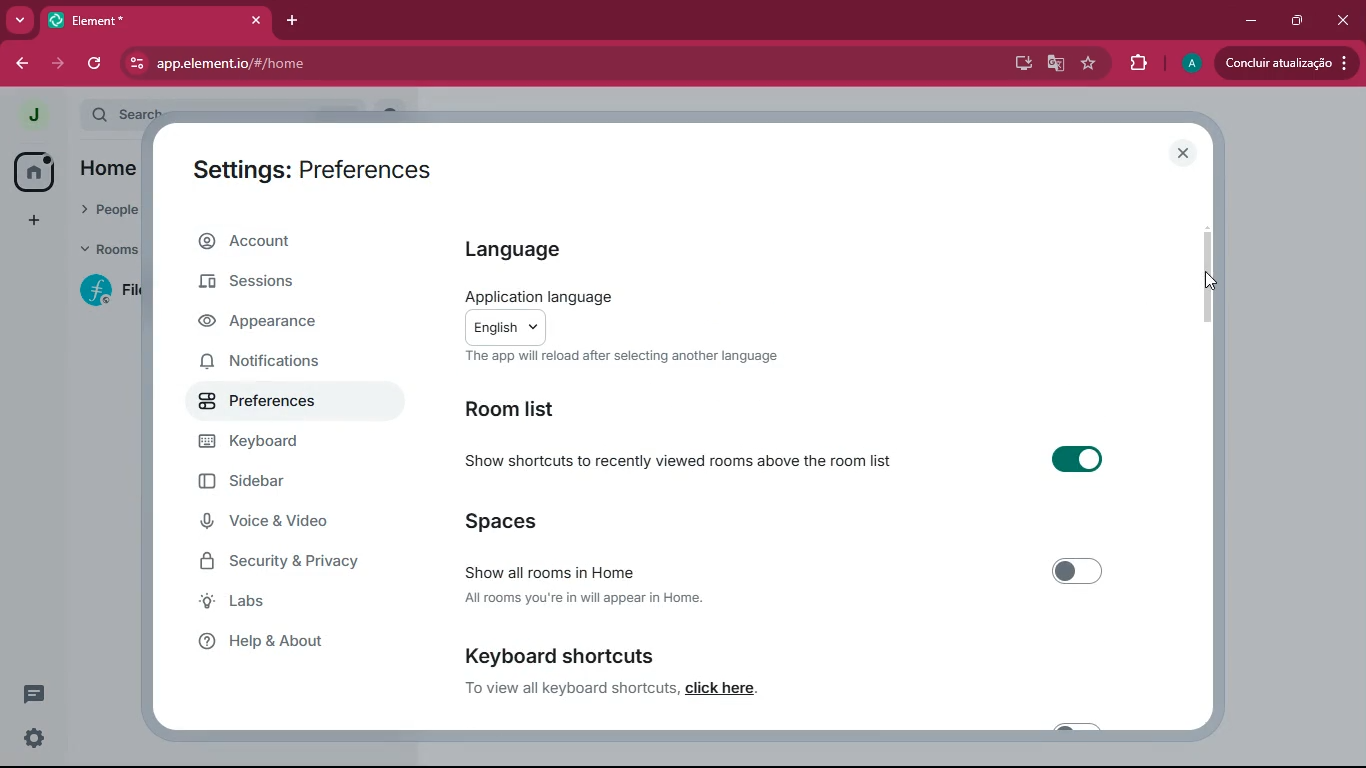  What do you see at coordinates (296, 561) in the screenshot?
I see `security` at bounding box center [296, 561].